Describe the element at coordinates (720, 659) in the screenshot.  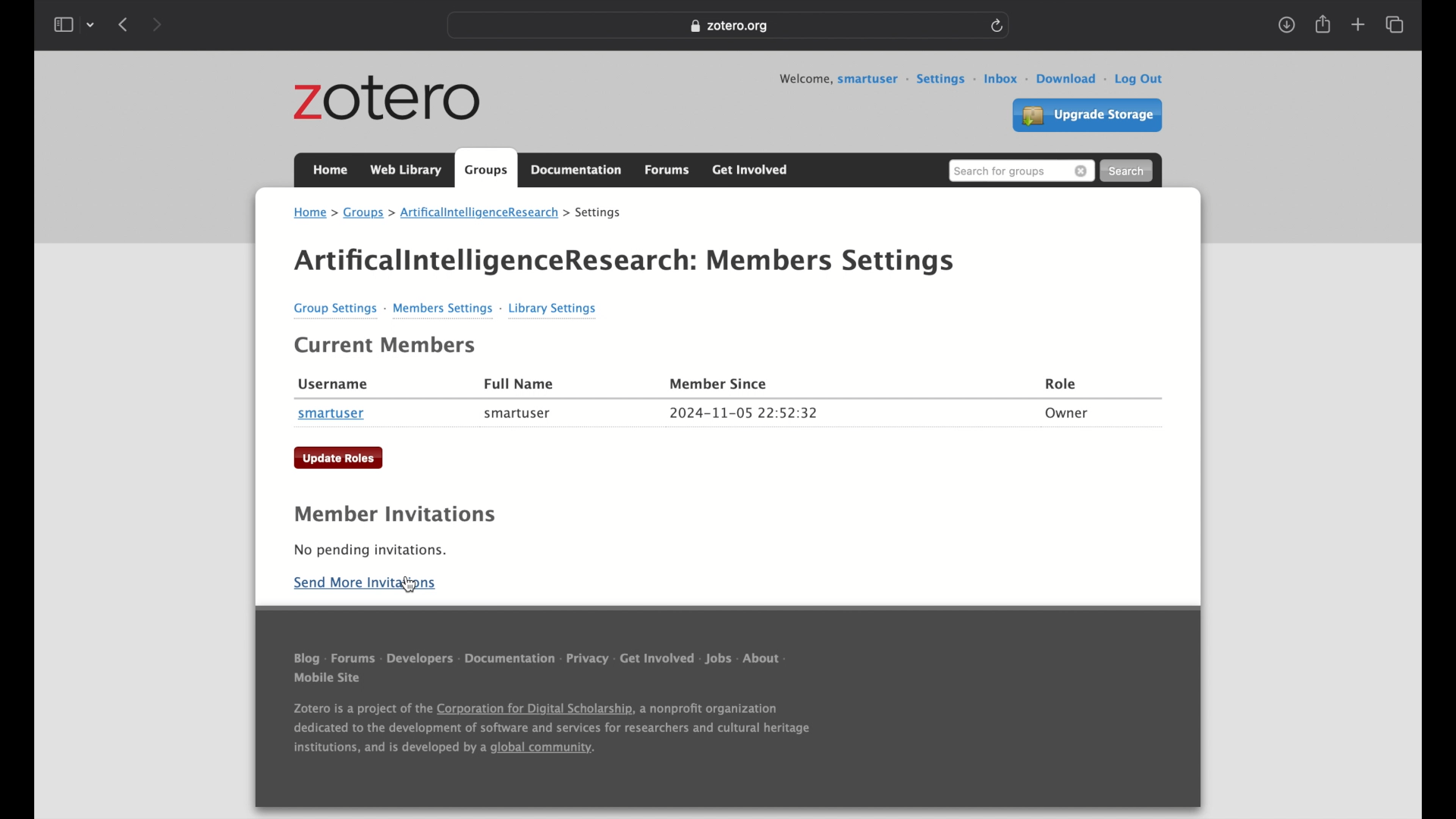
I see `jobs` at that location.